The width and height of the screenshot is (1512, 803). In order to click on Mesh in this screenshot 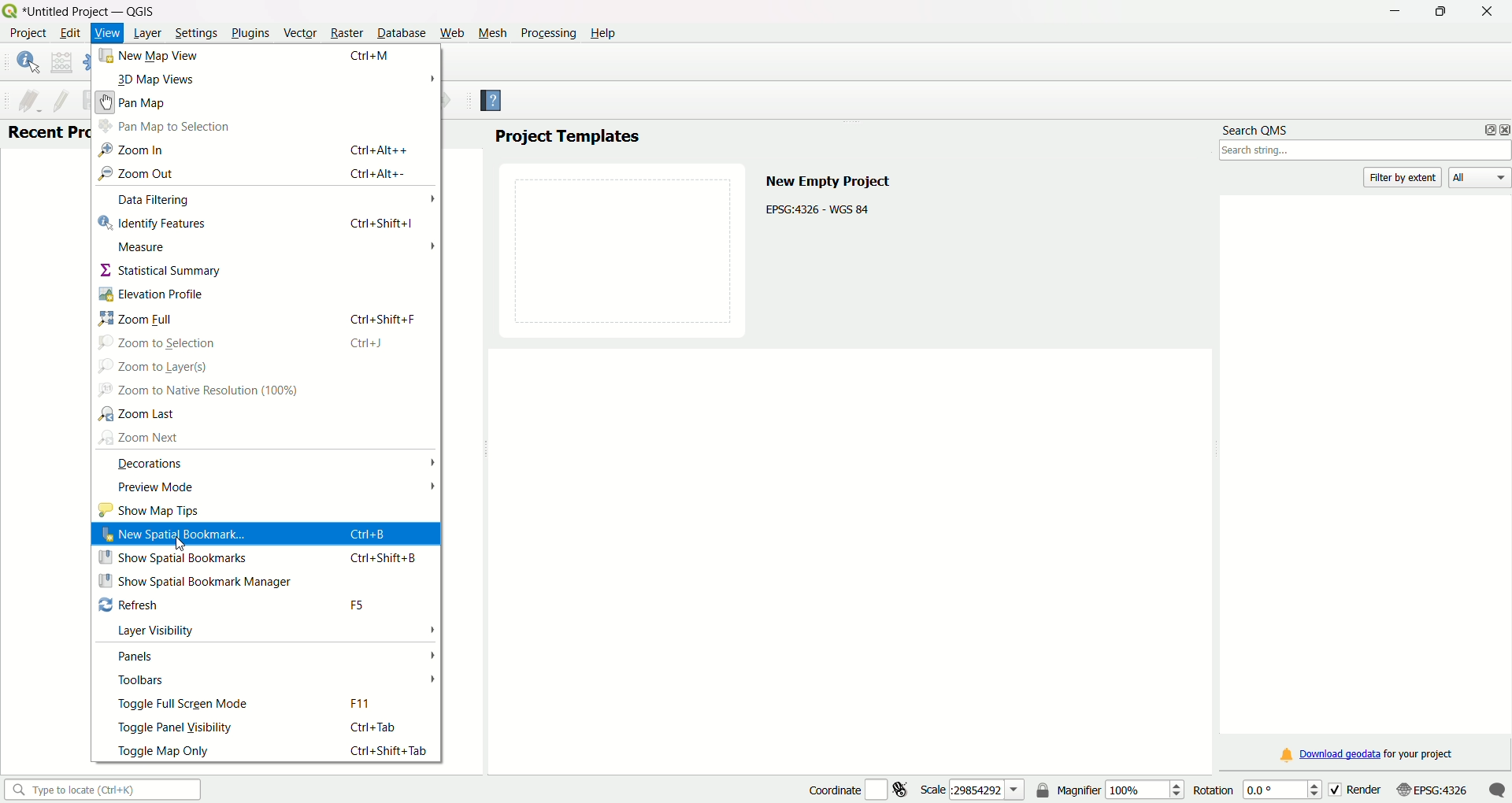, I will do `click(491, 32)`.